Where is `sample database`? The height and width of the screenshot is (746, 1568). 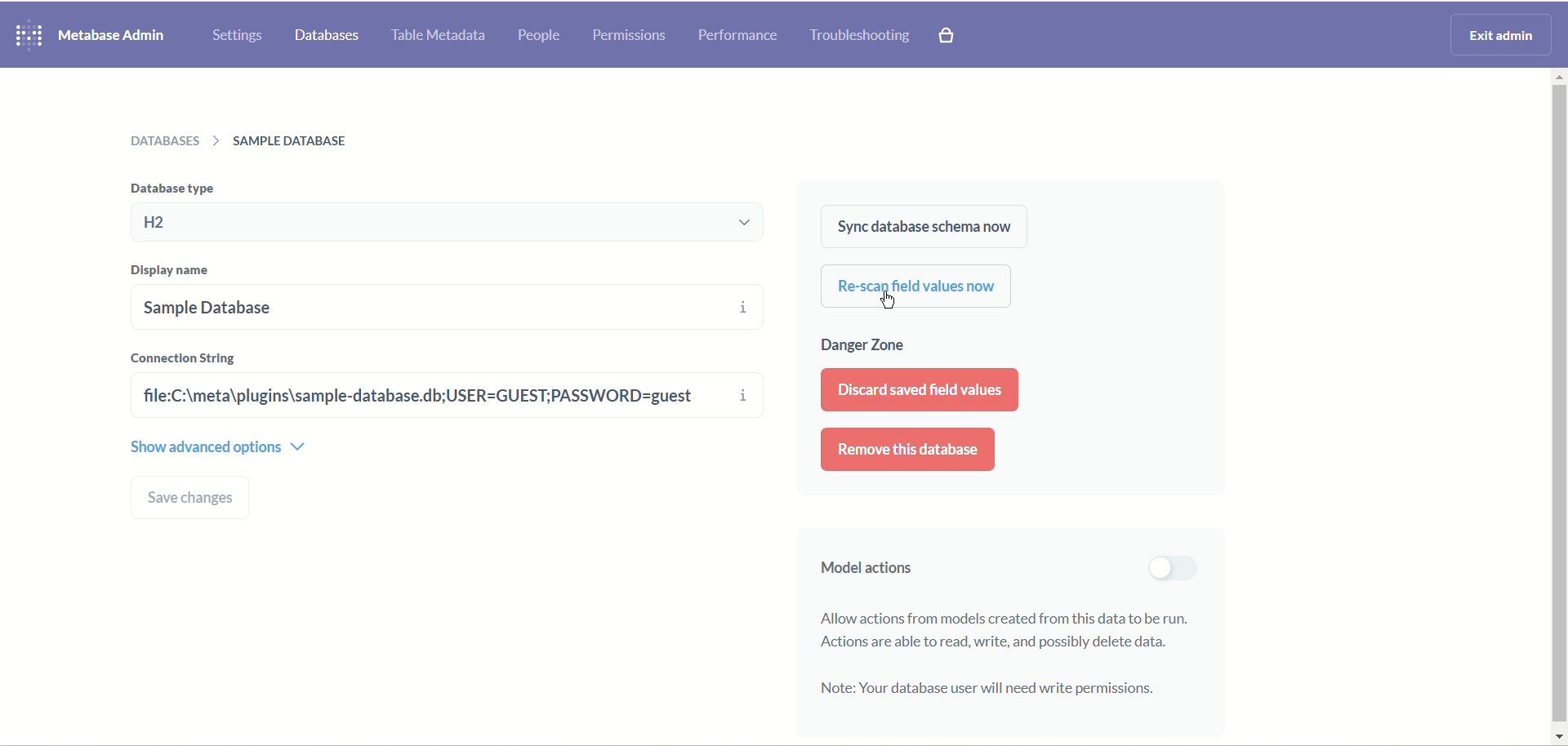
sample database is located at coordinates (395, 306).